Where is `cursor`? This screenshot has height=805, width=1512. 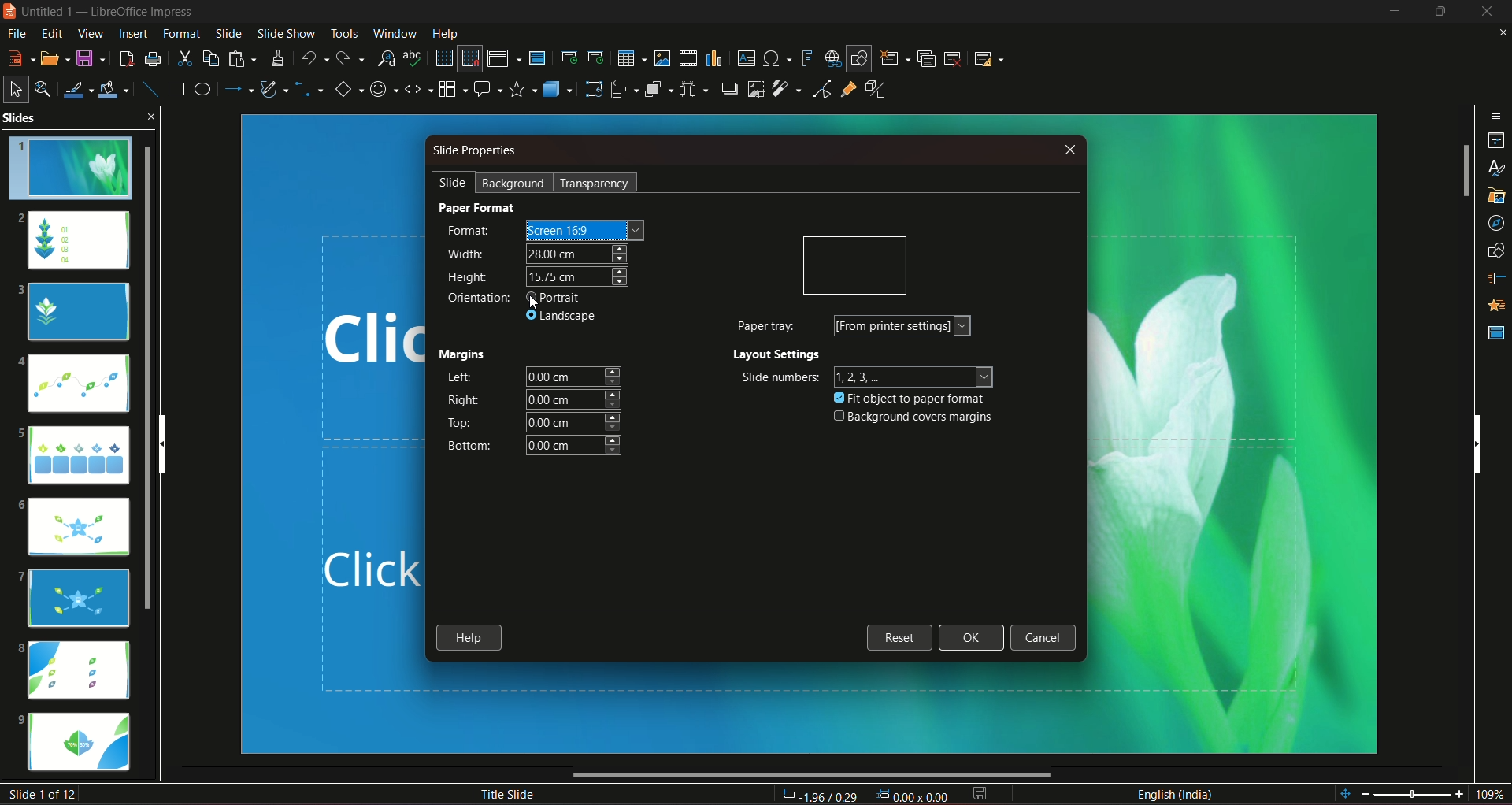
cursor is located at coordinates (539, 317).